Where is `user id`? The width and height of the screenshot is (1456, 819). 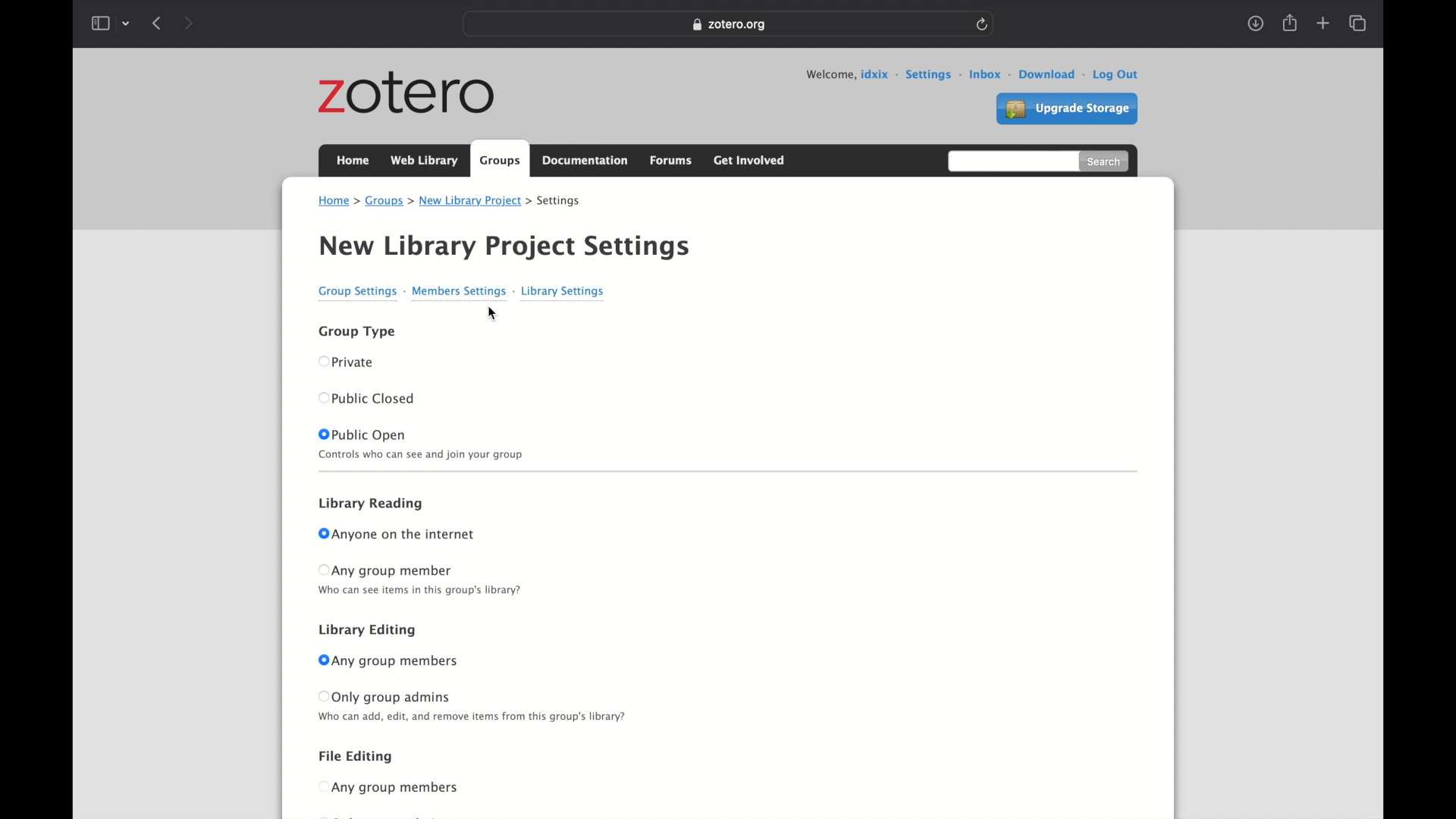
user id is located at coordinates (879, 74).